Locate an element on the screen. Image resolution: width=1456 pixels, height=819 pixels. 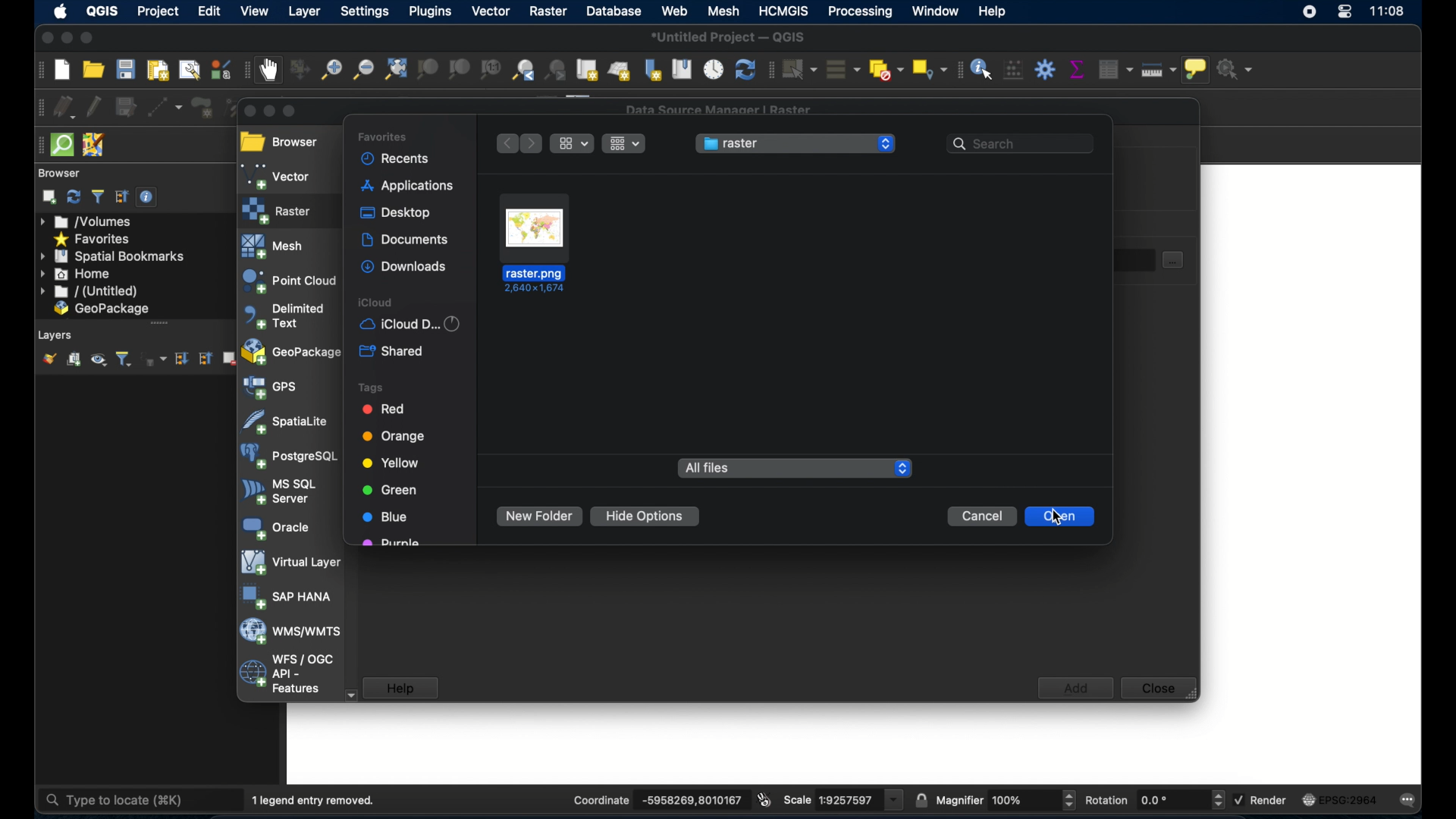
close is located at coordinates (44, 39).